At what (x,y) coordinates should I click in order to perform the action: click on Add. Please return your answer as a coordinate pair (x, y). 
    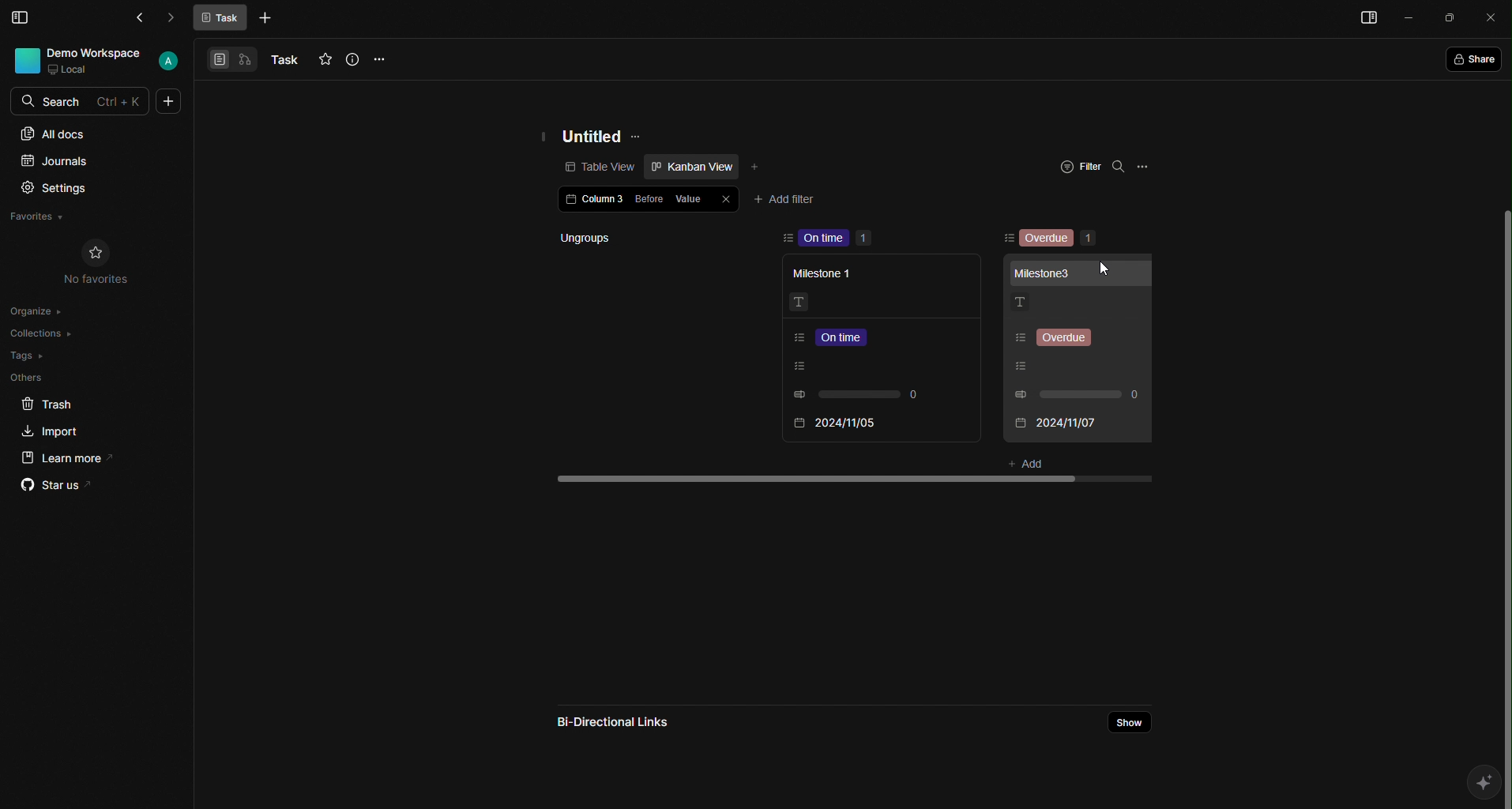
    Looking at the image, I should click on (758, 165).